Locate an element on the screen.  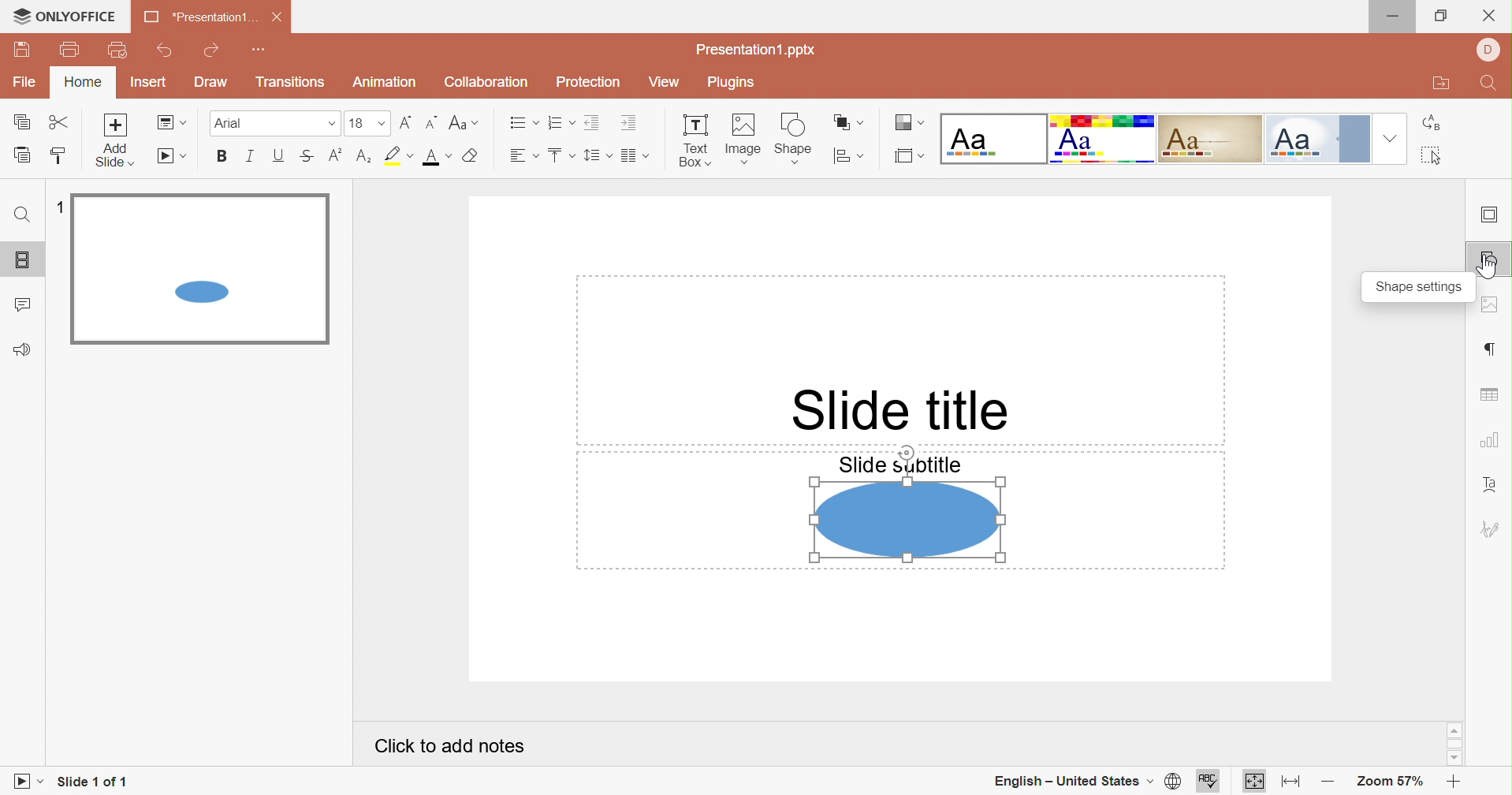
Change case is located at coordinates (462, 125).